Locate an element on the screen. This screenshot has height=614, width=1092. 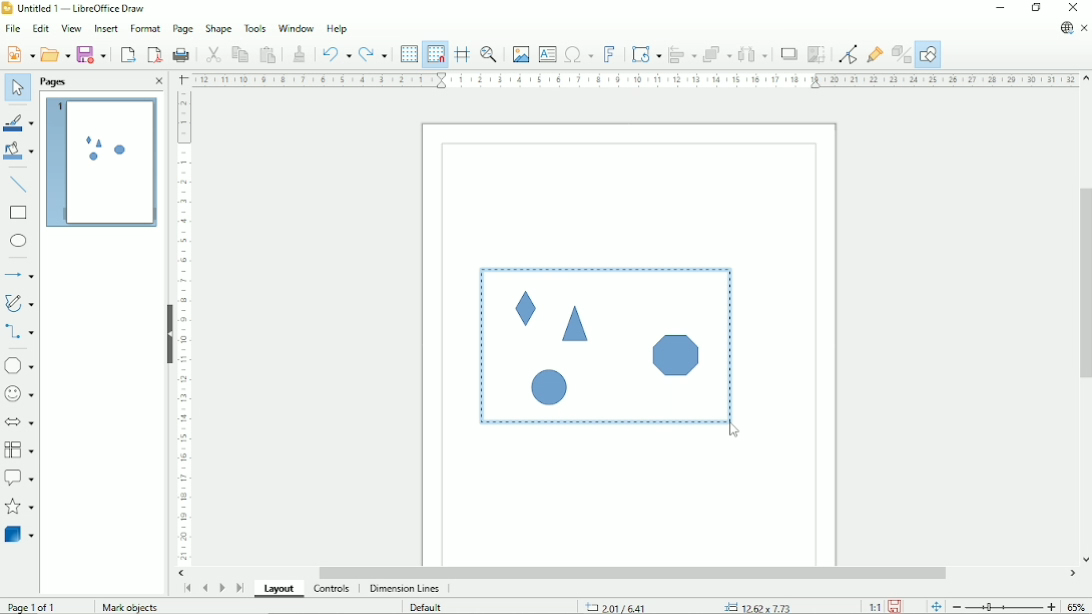
Ellipse is located at coordinates (19, 241).